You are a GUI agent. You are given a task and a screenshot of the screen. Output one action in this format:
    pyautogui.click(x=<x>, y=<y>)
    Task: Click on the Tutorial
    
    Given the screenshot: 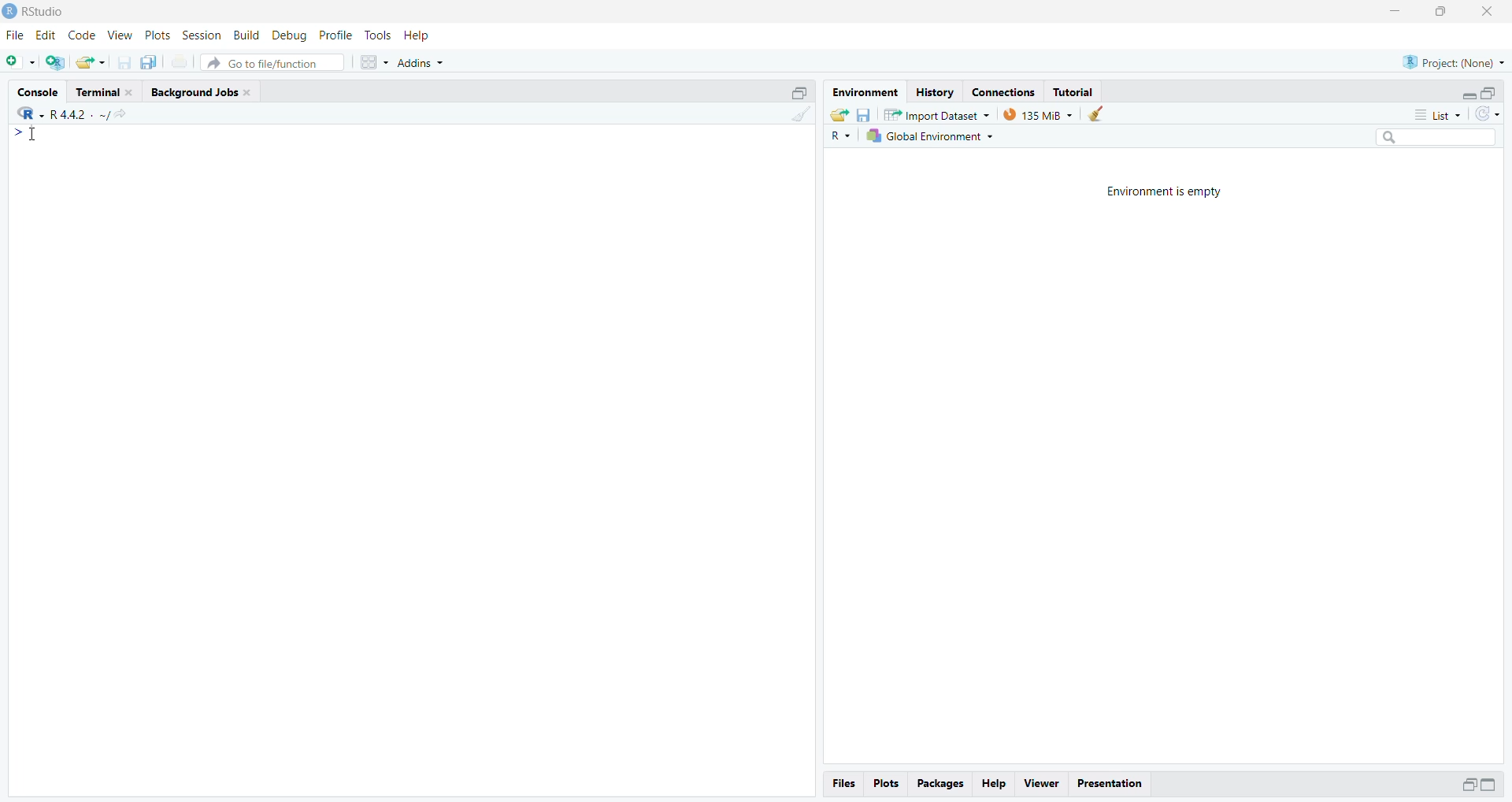 What is the action you would take?
    pyautogui.click(x=1076, y=91)
    